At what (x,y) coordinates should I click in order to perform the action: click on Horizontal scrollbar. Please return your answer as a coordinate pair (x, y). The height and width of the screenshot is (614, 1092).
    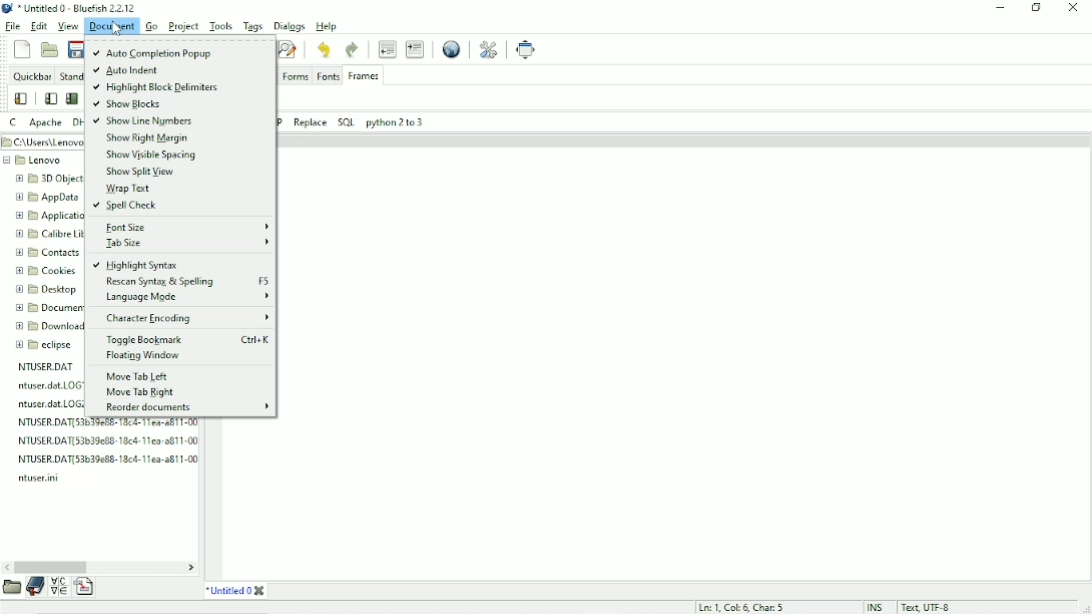
    Looking at the image, I should click on (51, 567).